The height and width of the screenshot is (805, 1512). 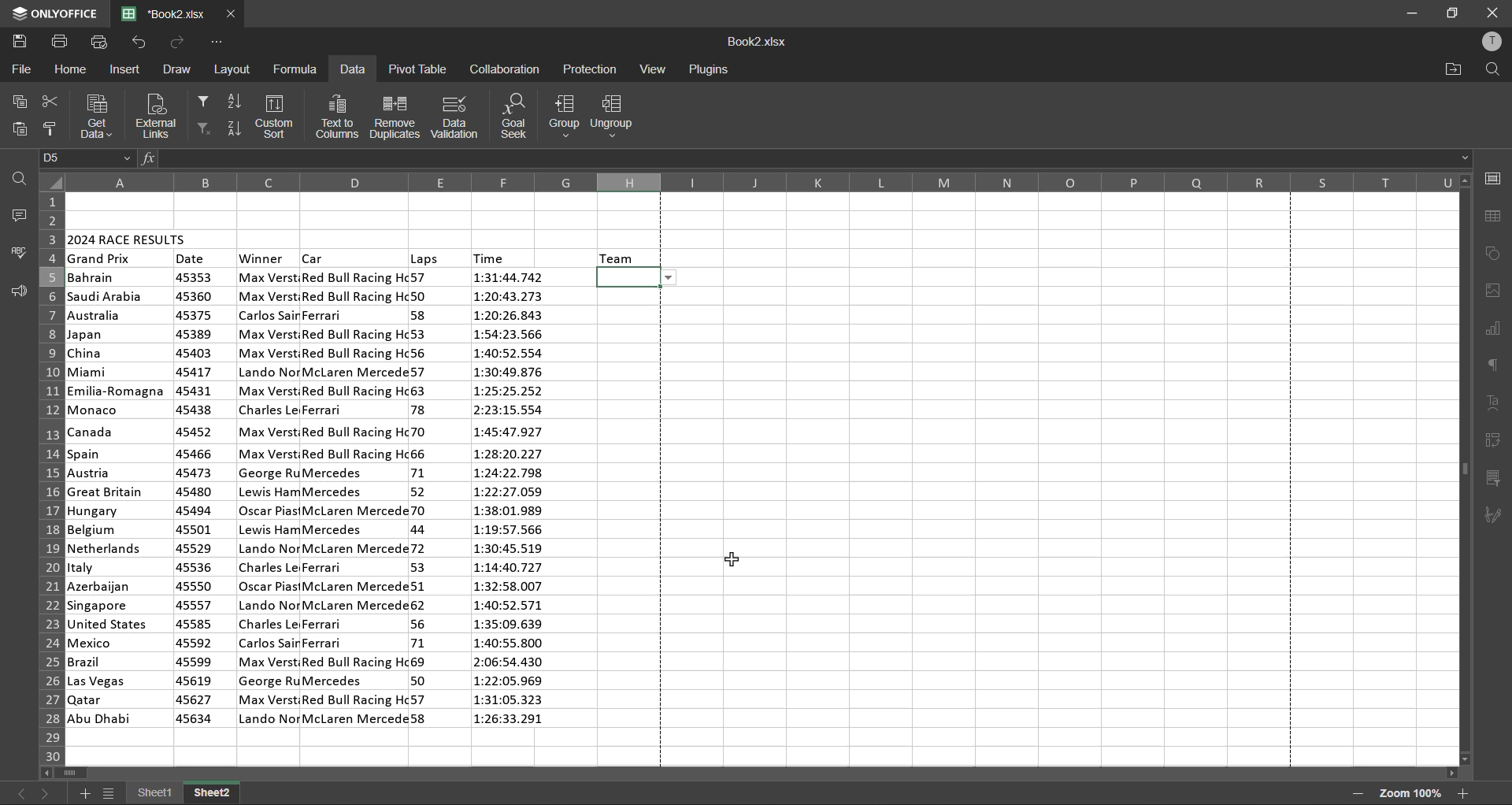 What do you see at coordinates (1455, 12) in the screenshot?
I see `maximize` at bounding box center [1455, 12].